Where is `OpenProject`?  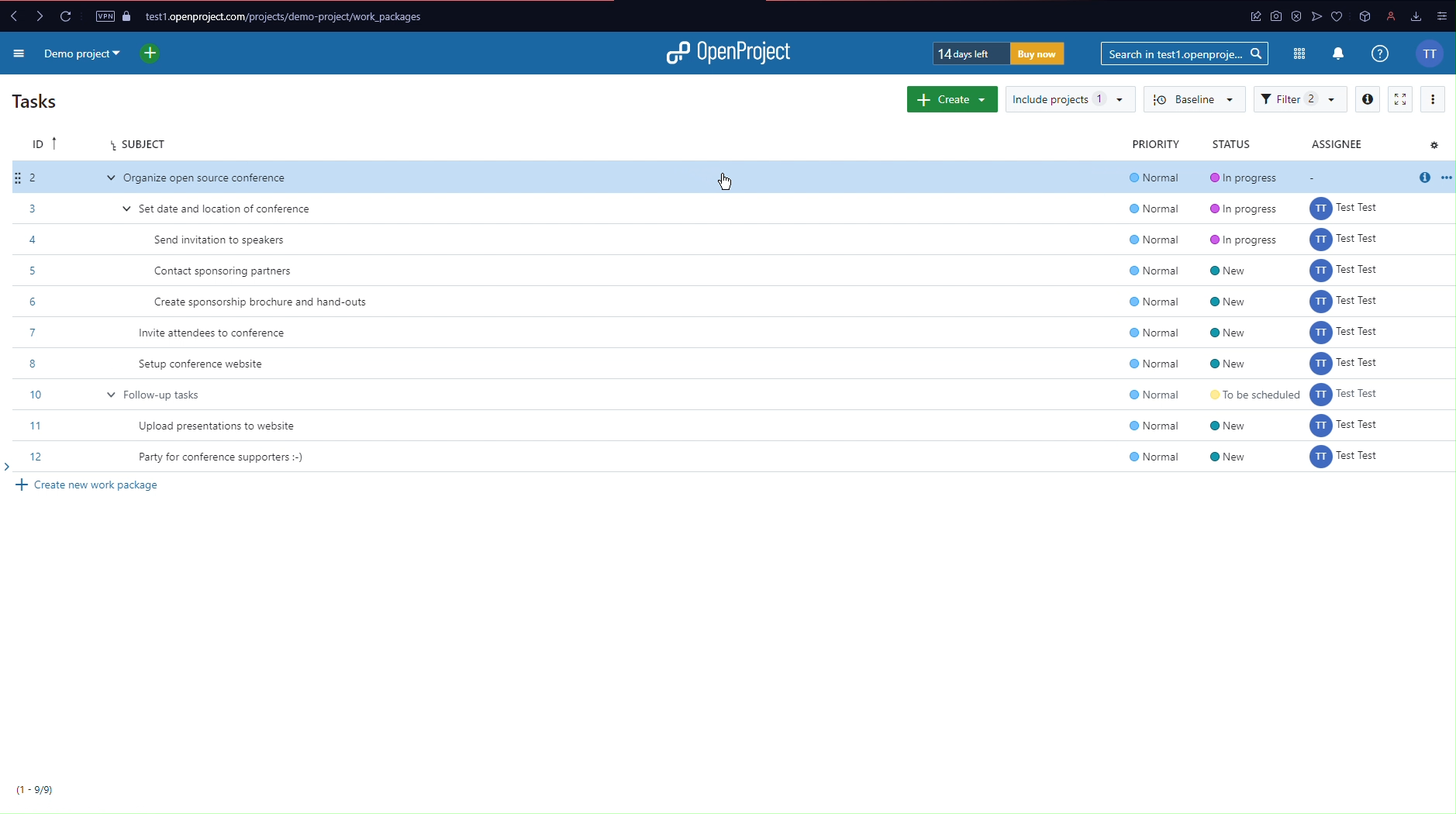
OpenProject is located at coordinates (730, 55).